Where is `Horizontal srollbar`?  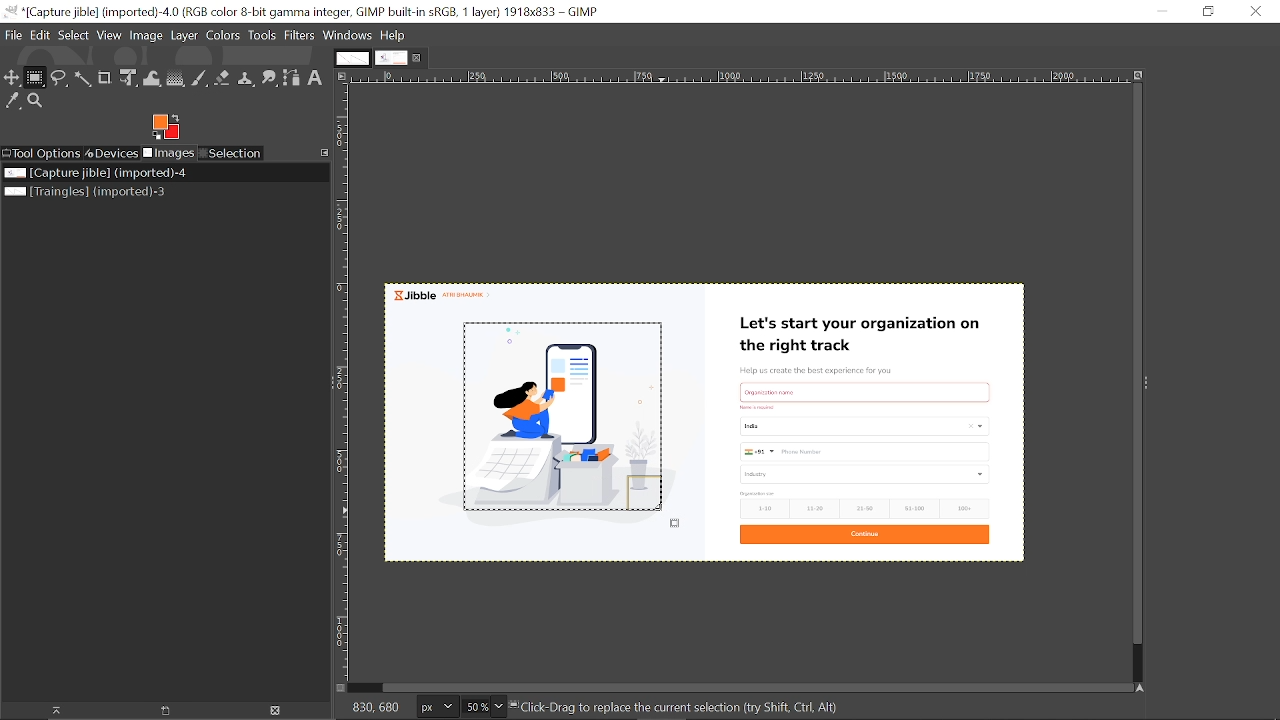
Horizontal srollbar is located at coordinates (758, 686).